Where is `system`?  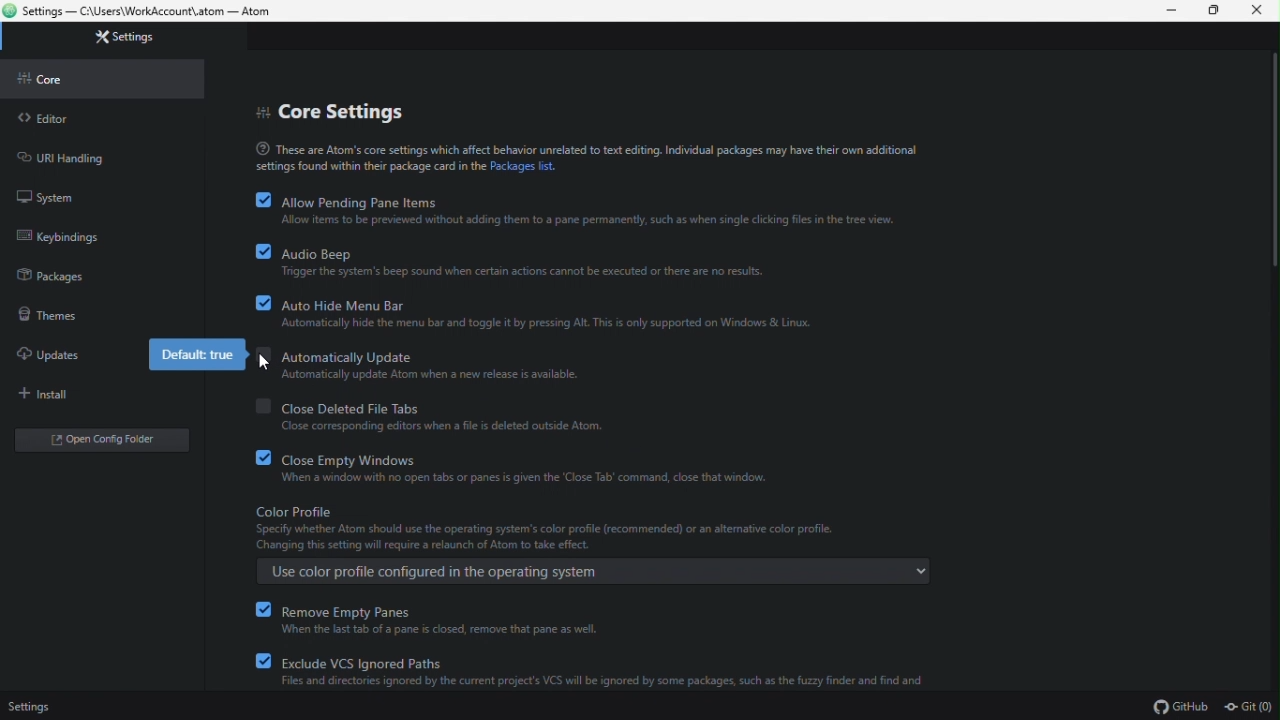
system is located at coordinates (54, 195).